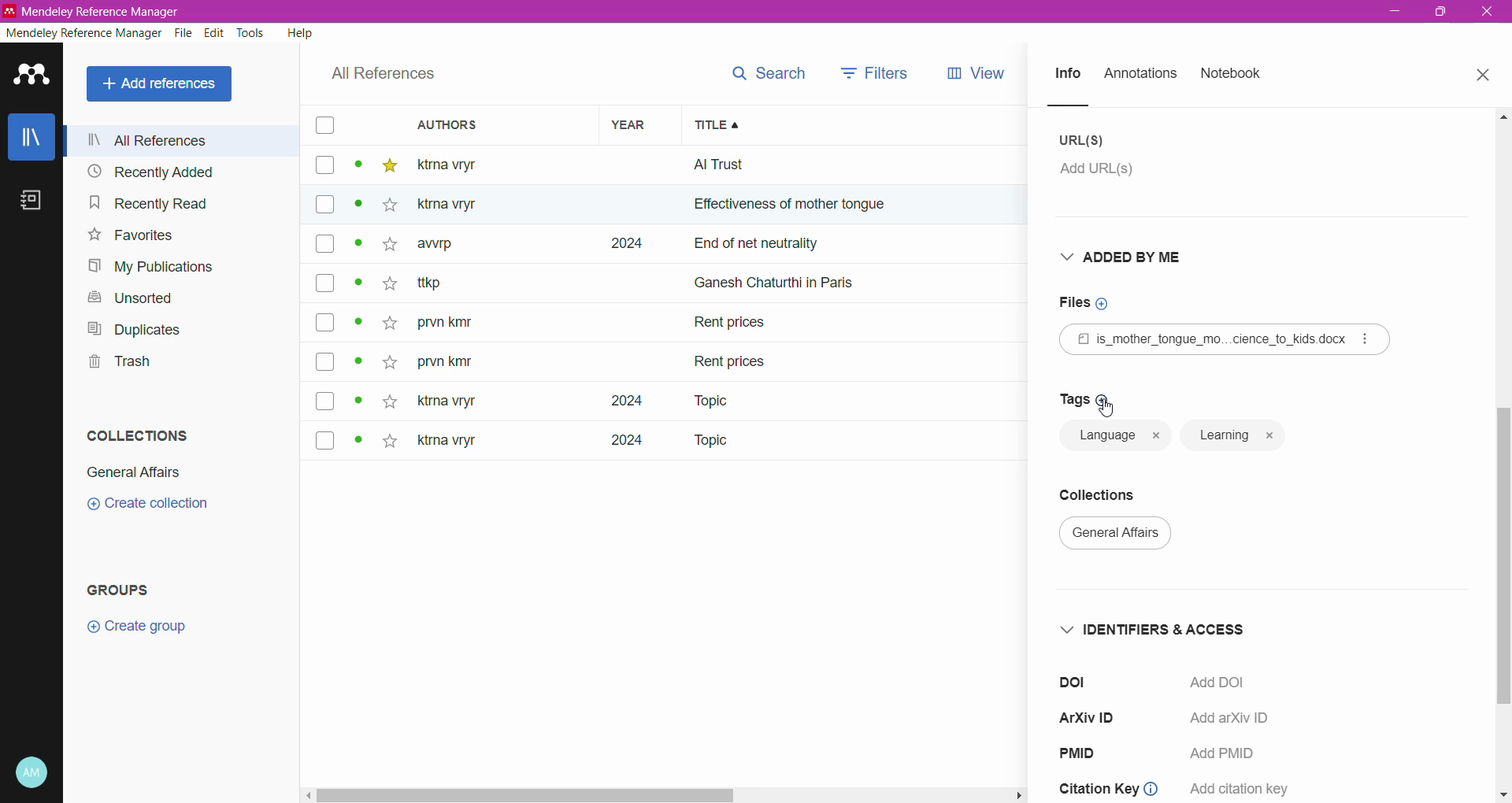 Image resolution: width=1512 pixels, height=803 pixels. I want to click on Edit, so click(216, 33).